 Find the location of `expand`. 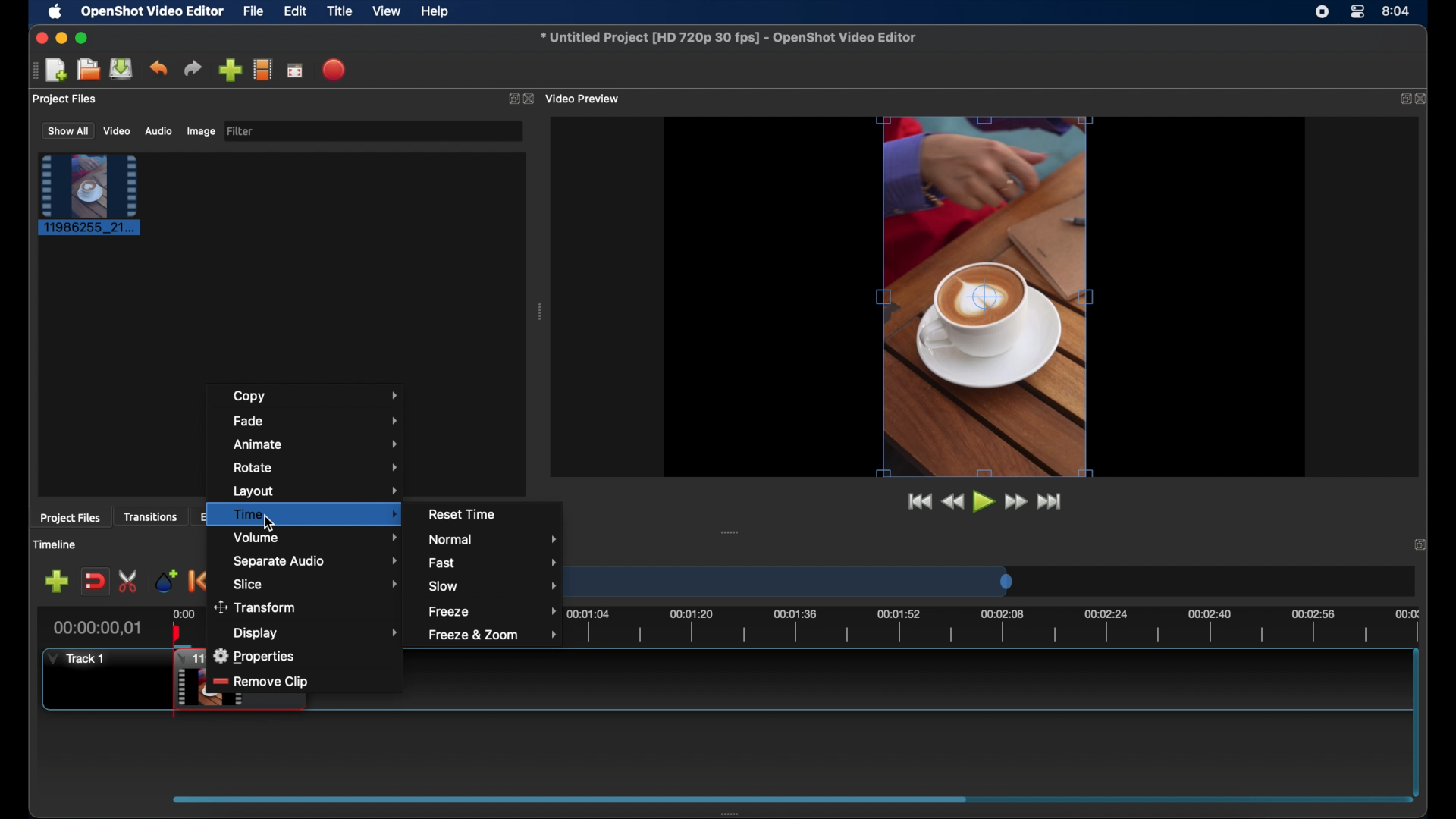

expand is located at coordinates (1401, 99).